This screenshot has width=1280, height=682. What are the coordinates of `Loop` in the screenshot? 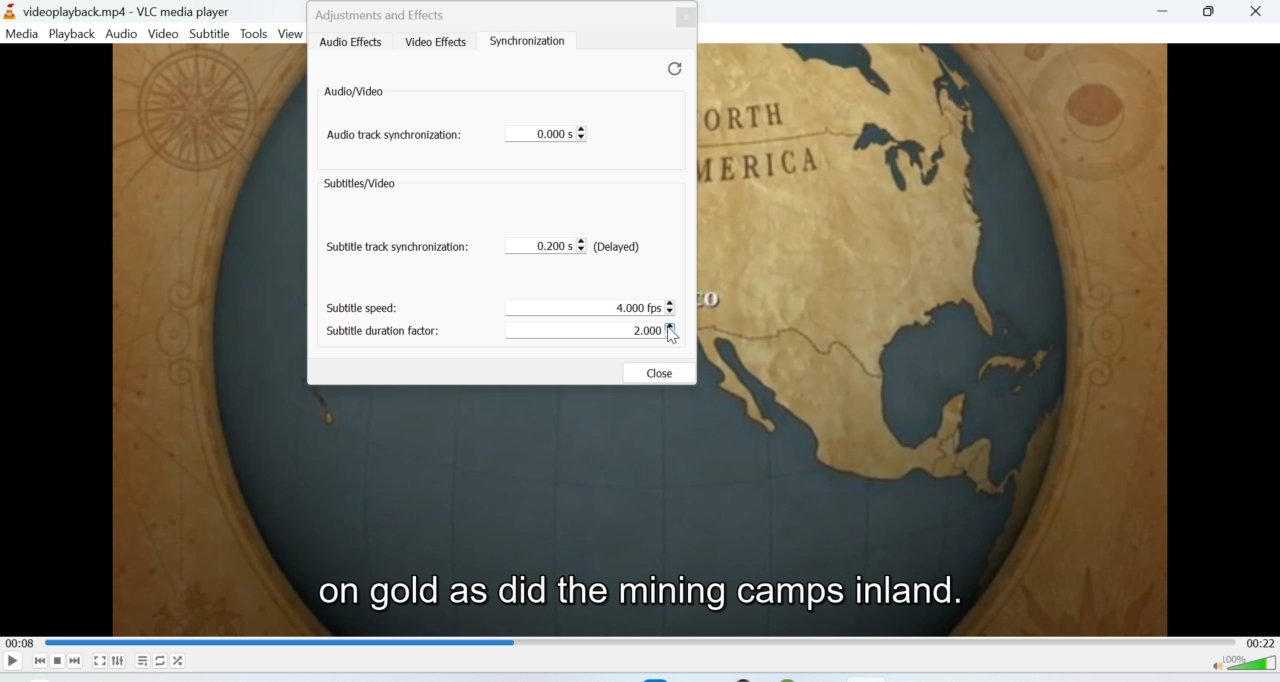 It's located at (158, 660).